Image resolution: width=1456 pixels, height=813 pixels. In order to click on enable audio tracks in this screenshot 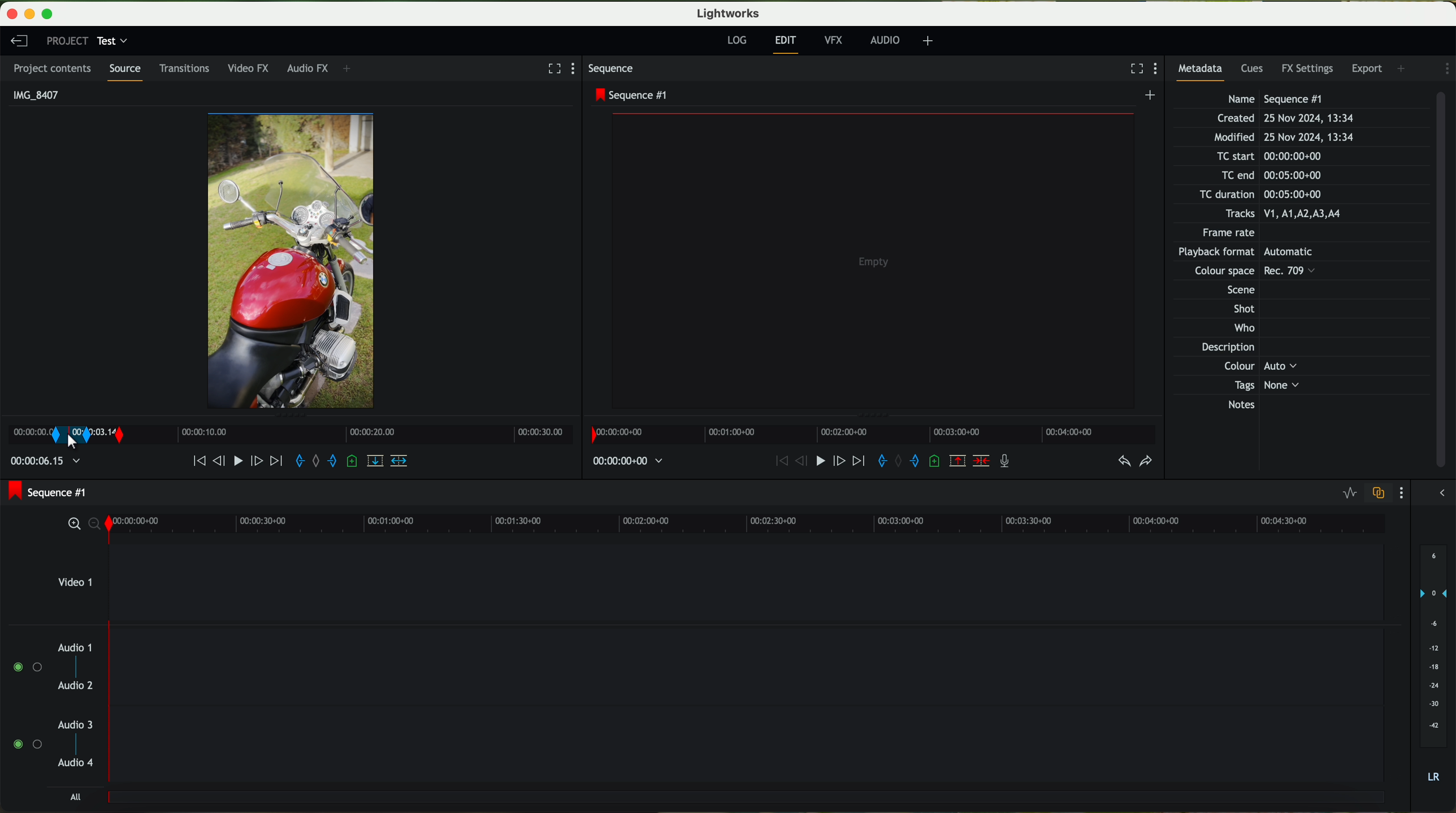, I will do `click(25, 706)`.